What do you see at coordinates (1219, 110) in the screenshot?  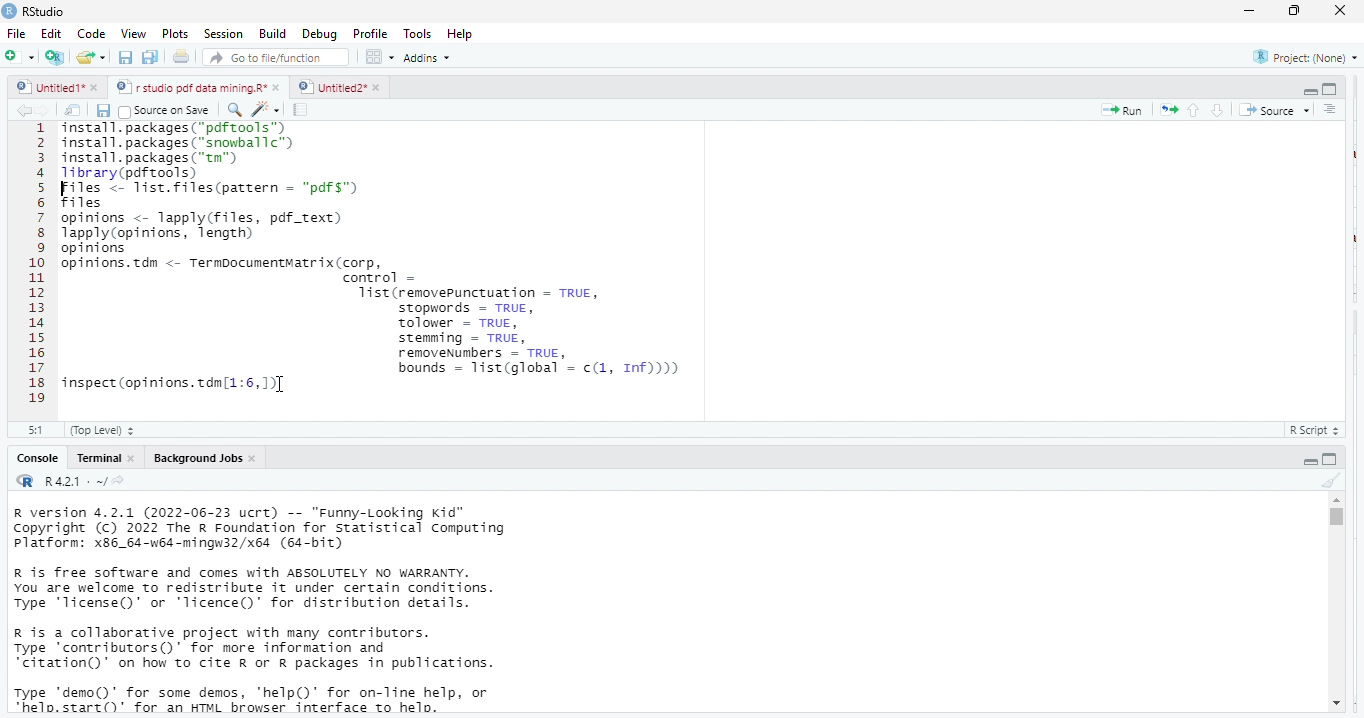 I see `go to next section/chunk` at bounding box center [1219, 110].